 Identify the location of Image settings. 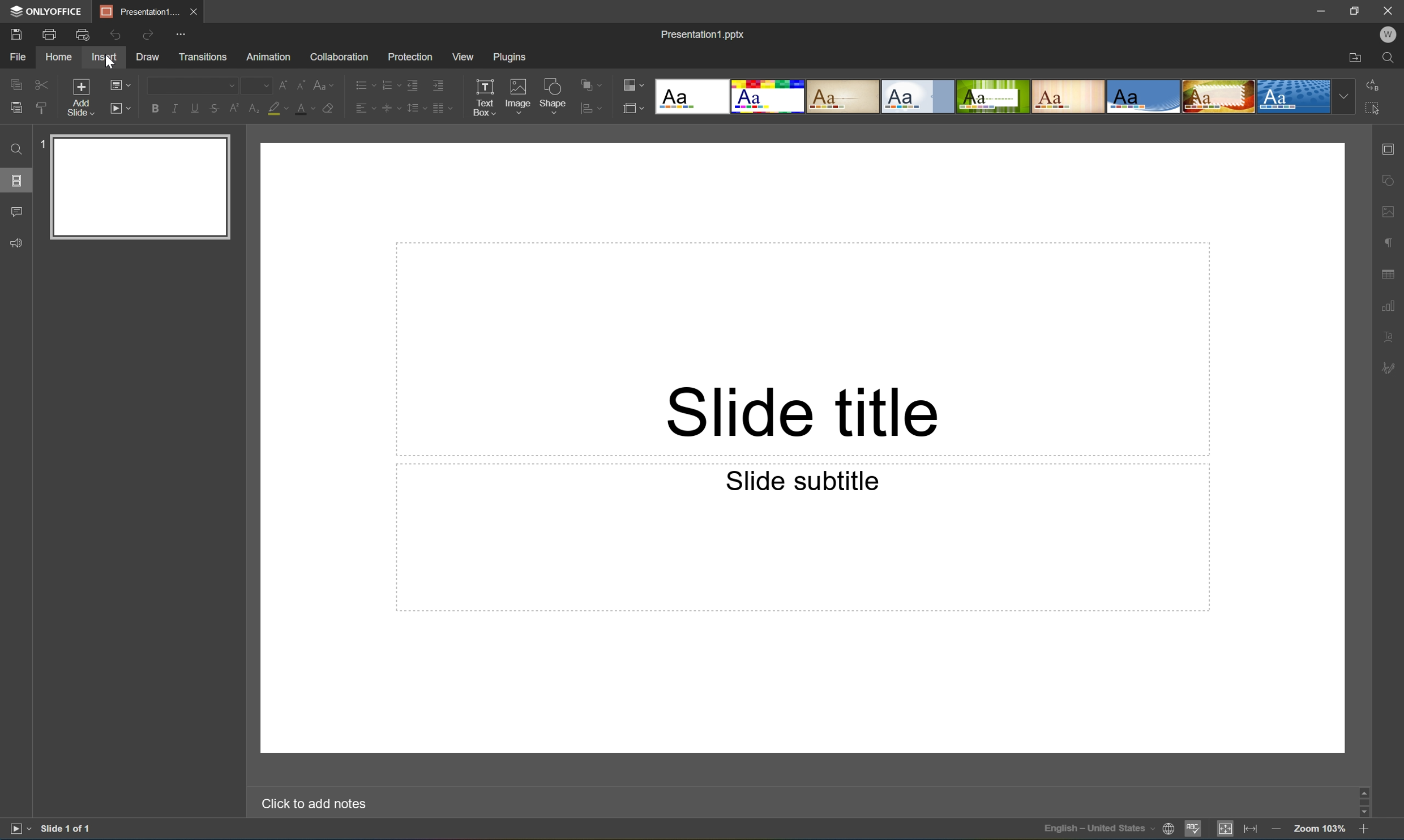
(1392, 209).